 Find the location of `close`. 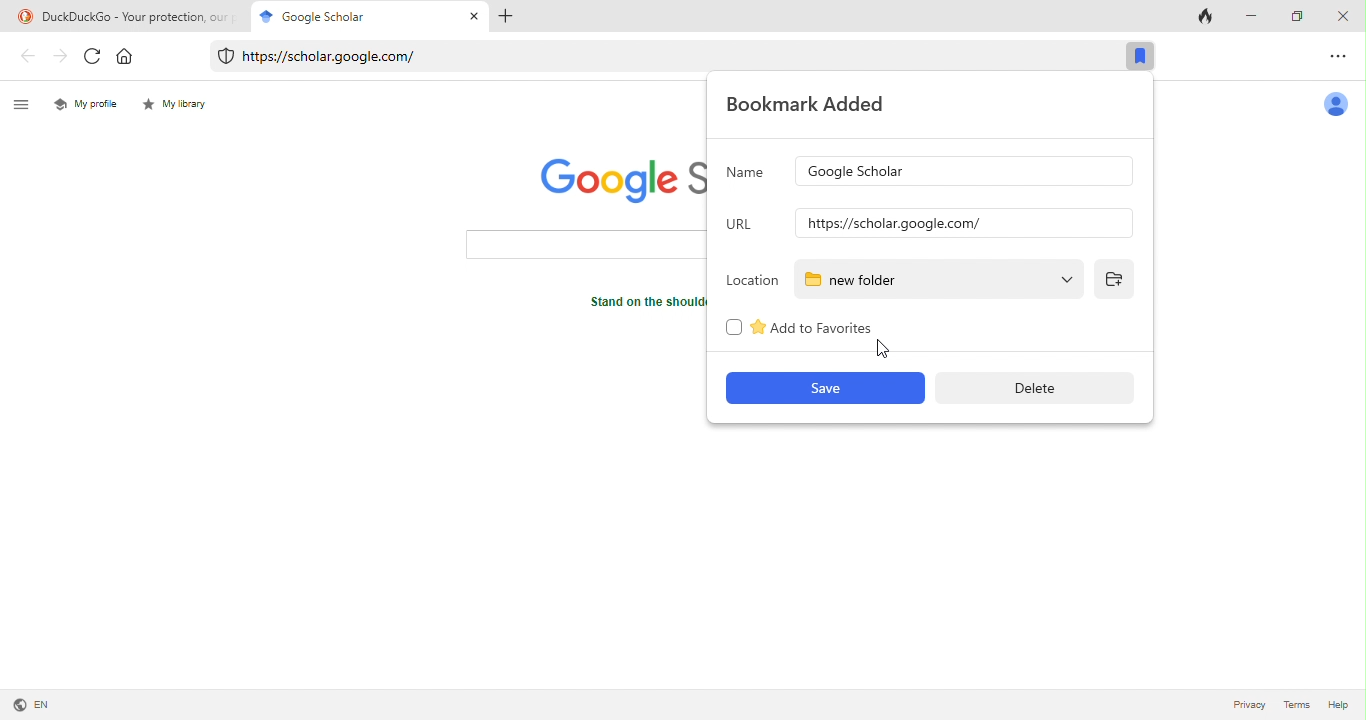

close is located at coordinates (473, 18).